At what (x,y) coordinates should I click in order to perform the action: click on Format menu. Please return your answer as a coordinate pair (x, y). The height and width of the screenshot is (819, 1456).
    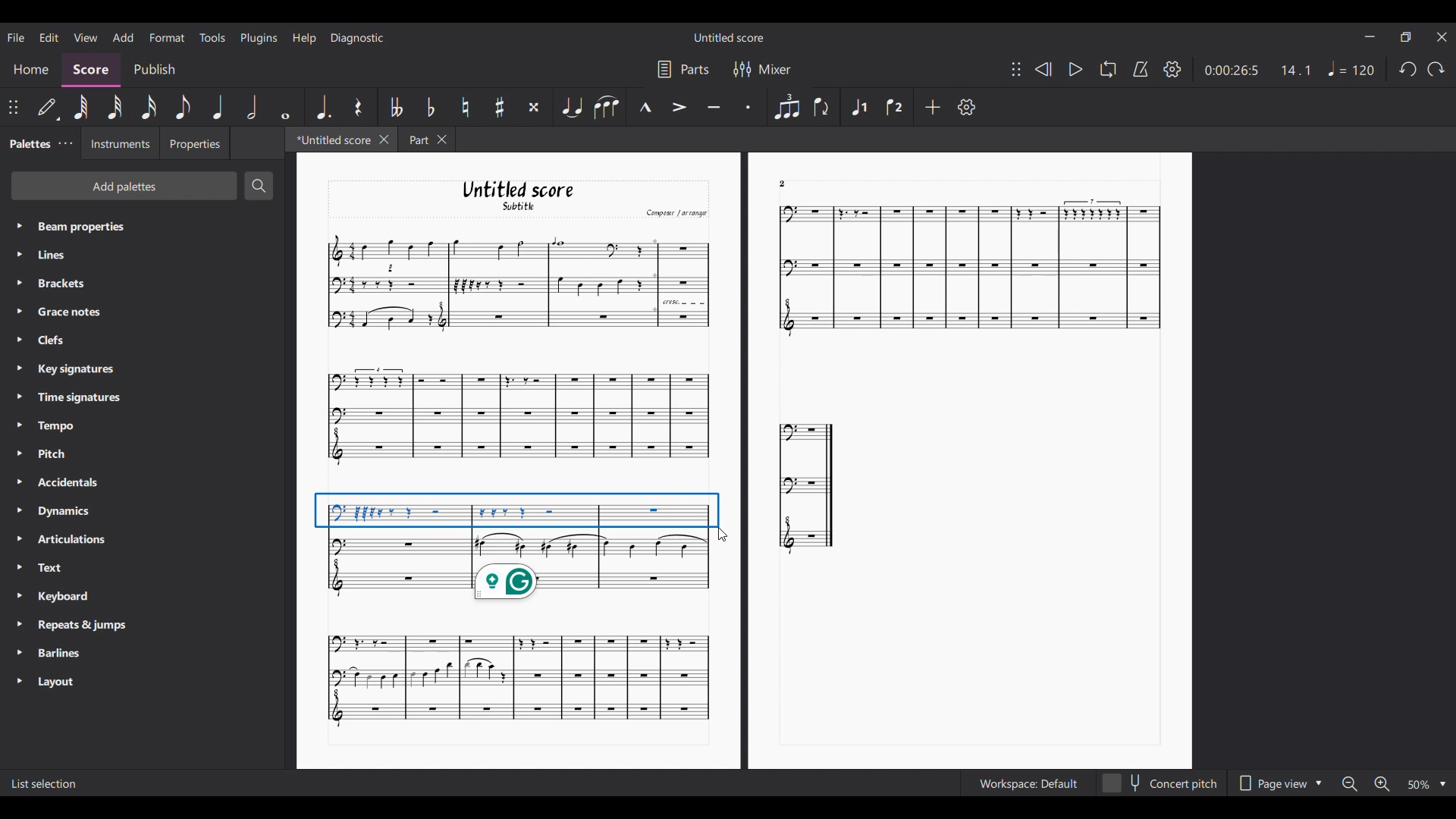
    Looking at the image, I should click on (167, 38).